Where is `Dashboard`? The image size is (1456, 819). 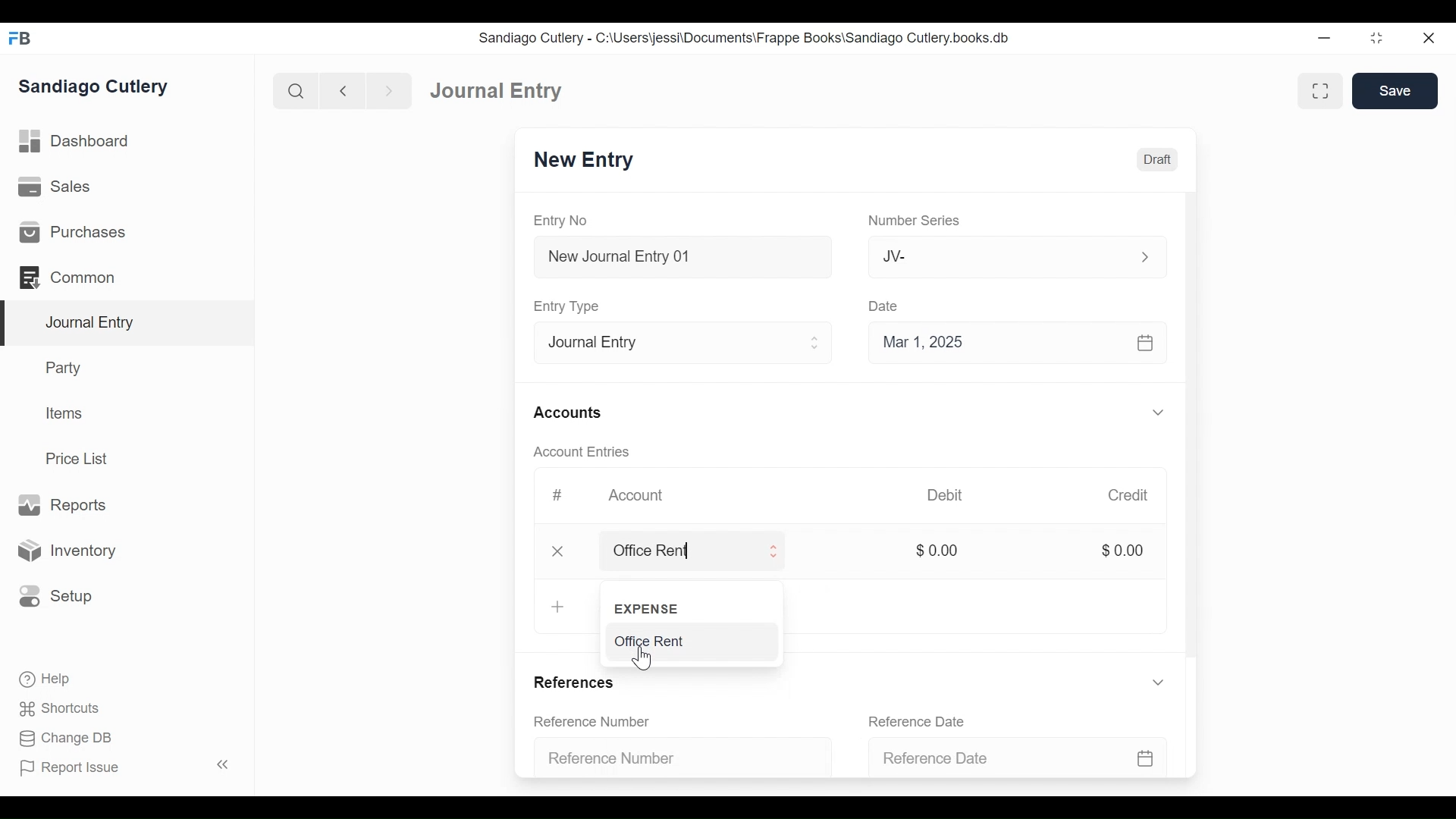
Dashboard is located at coordinates (491, 89).